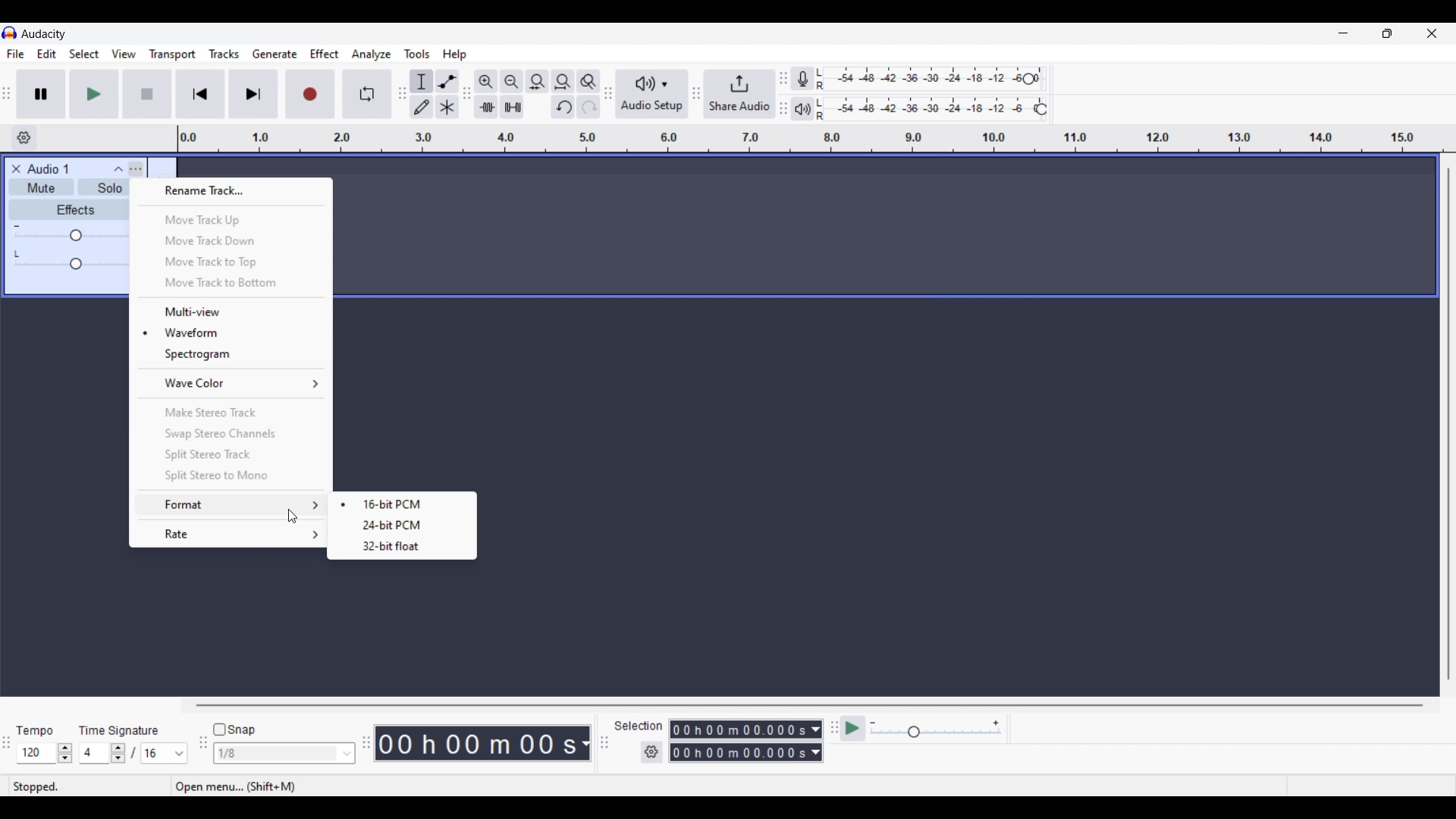  Describe the element at coordinates (230, 262) in the screenshot. I see `Move track to top` at that location.